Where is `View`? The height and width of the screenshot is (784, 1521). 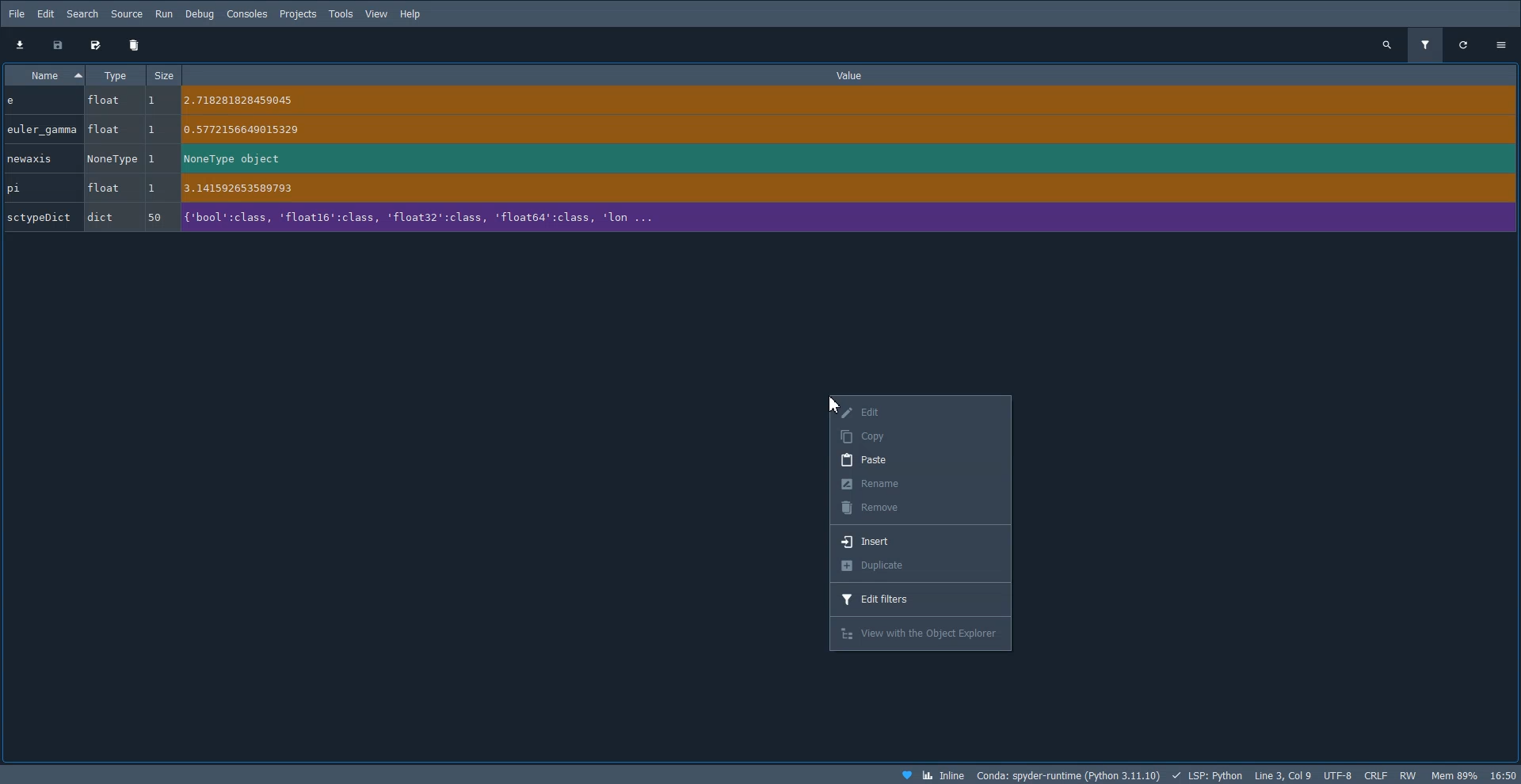
View is located at coordinates (377, 13).